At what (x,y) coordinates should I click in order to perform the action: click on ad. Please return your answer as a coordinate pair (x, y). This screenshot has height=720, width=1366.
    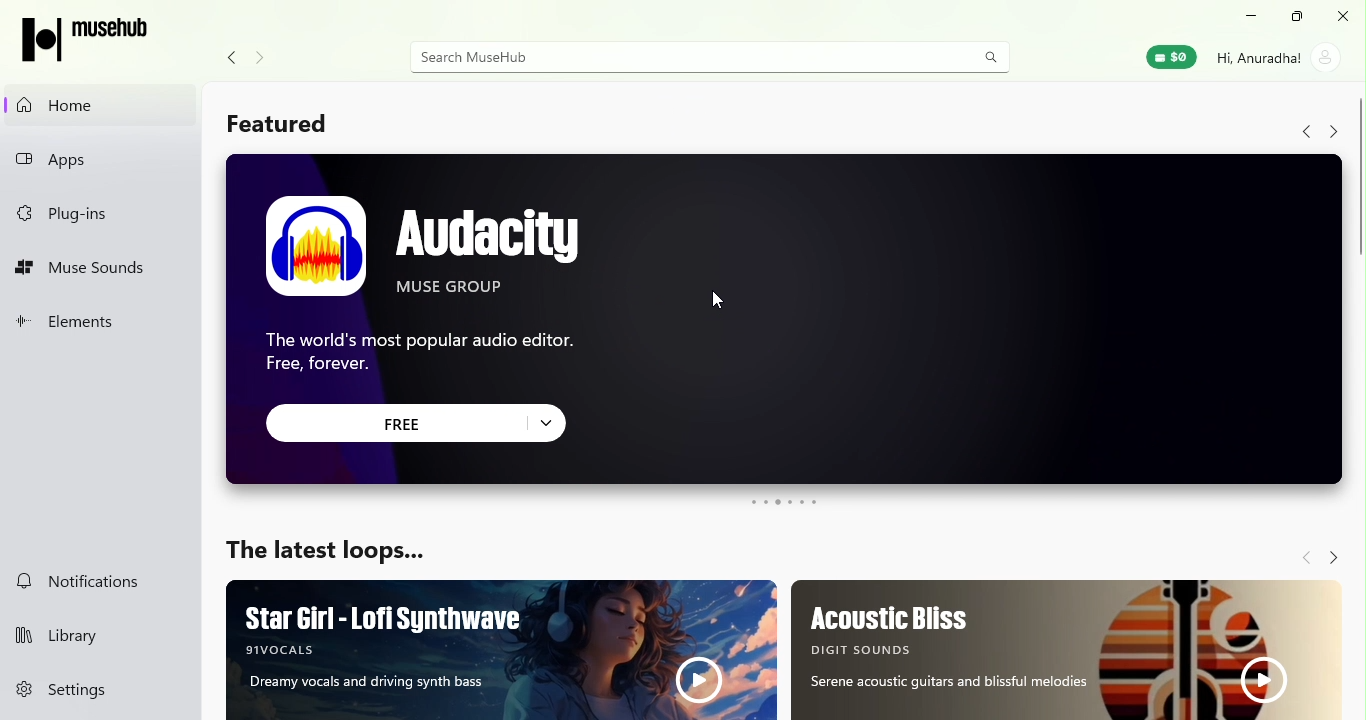
    Looking at the image, I should click on (1072, 650).